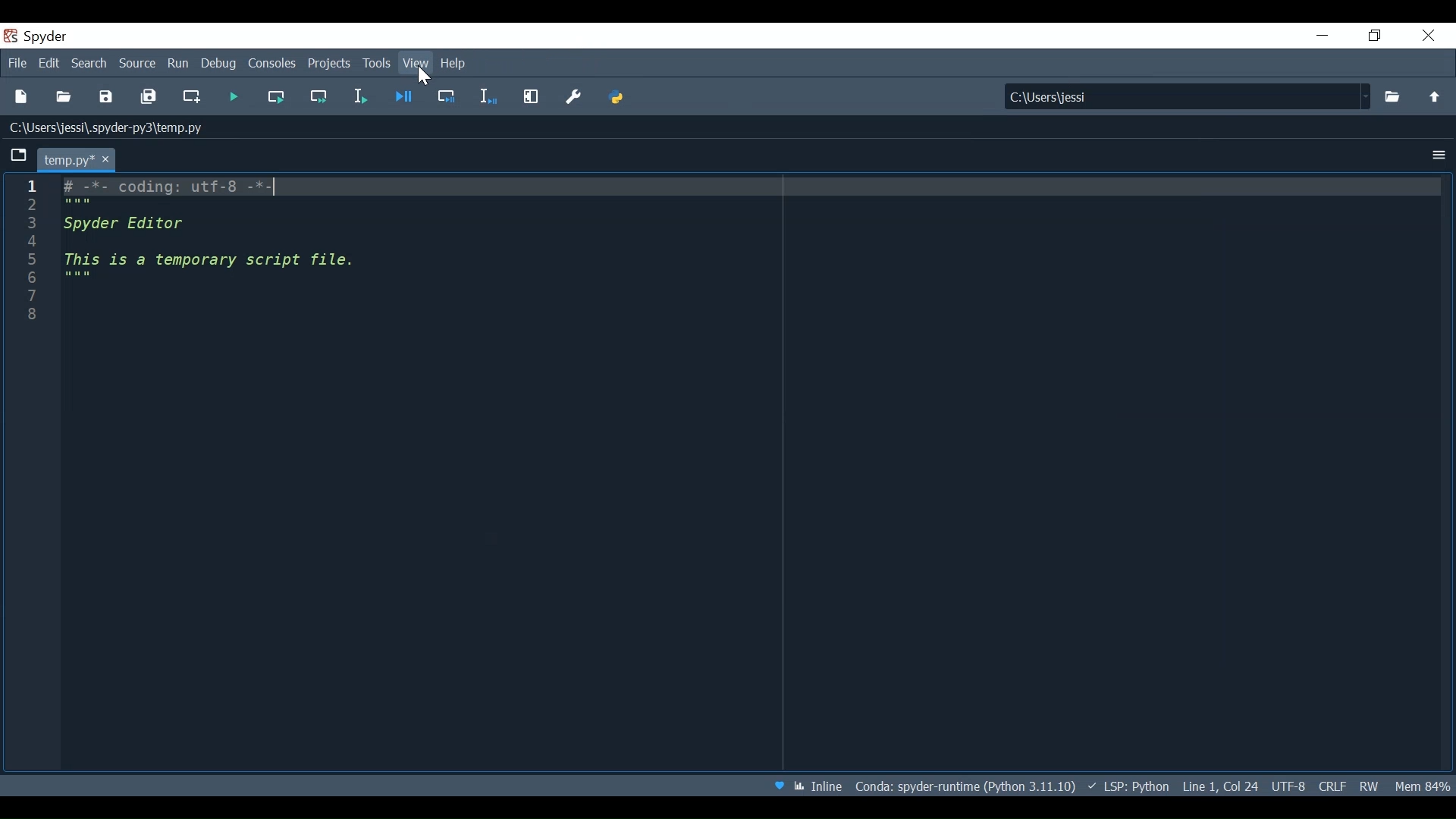 This screenshot has width=1456, height=819. I want to click on Run current cell , so click(277, 96).